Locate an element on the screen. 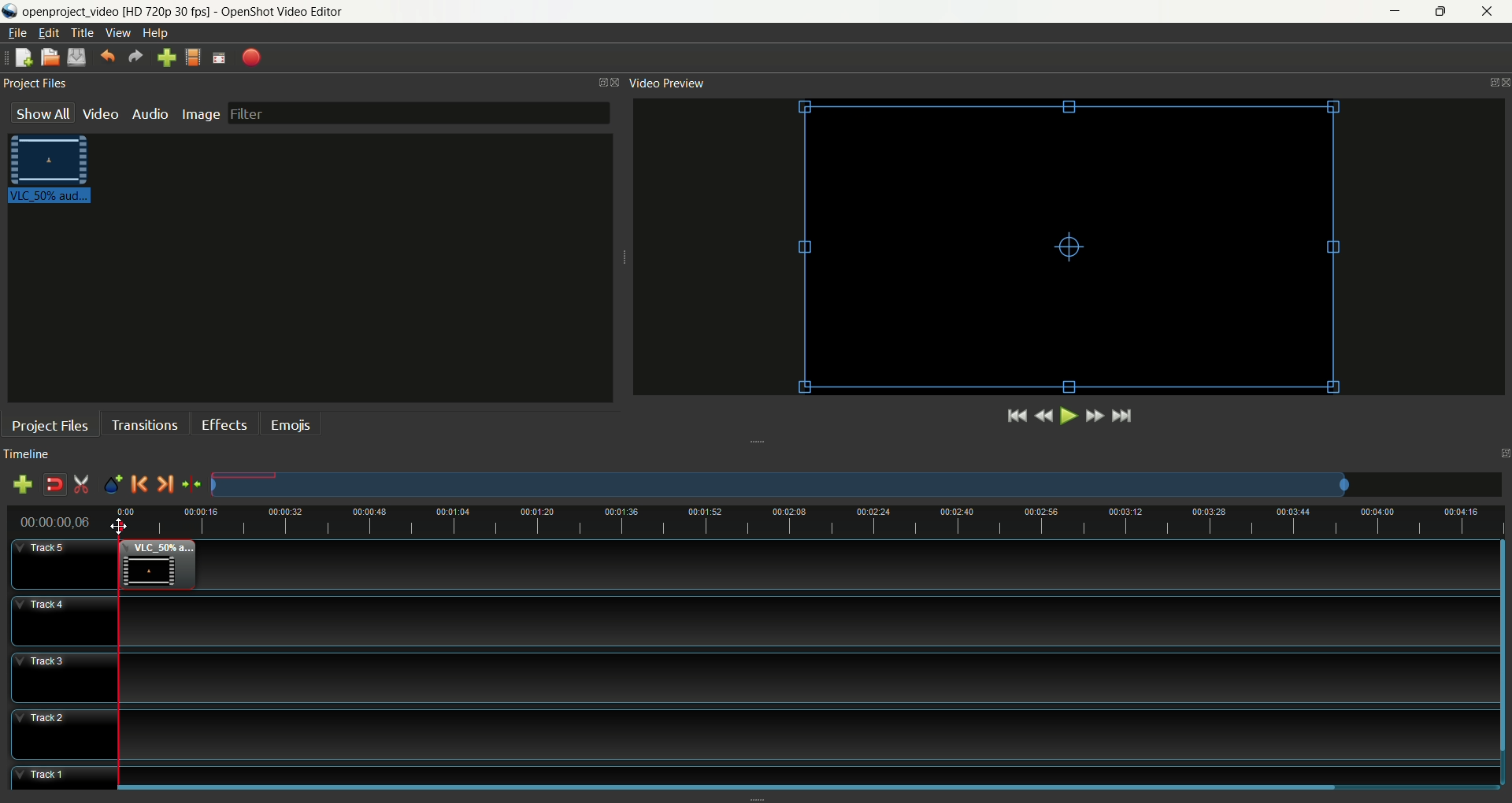 This screenshot has width=1512, height=803. redo is located at coordinates (135, 56).